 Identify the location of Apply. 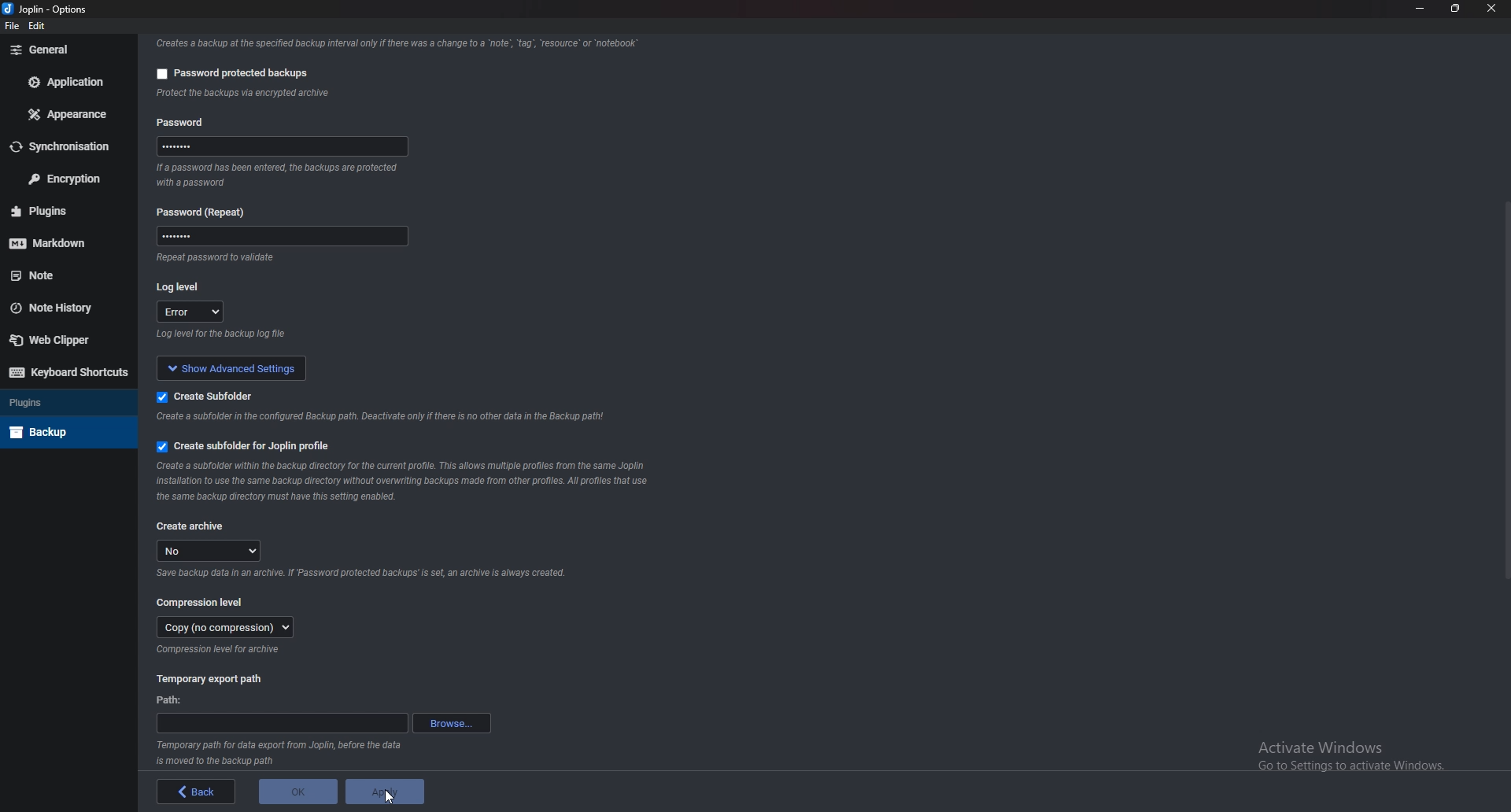
(385, 792).